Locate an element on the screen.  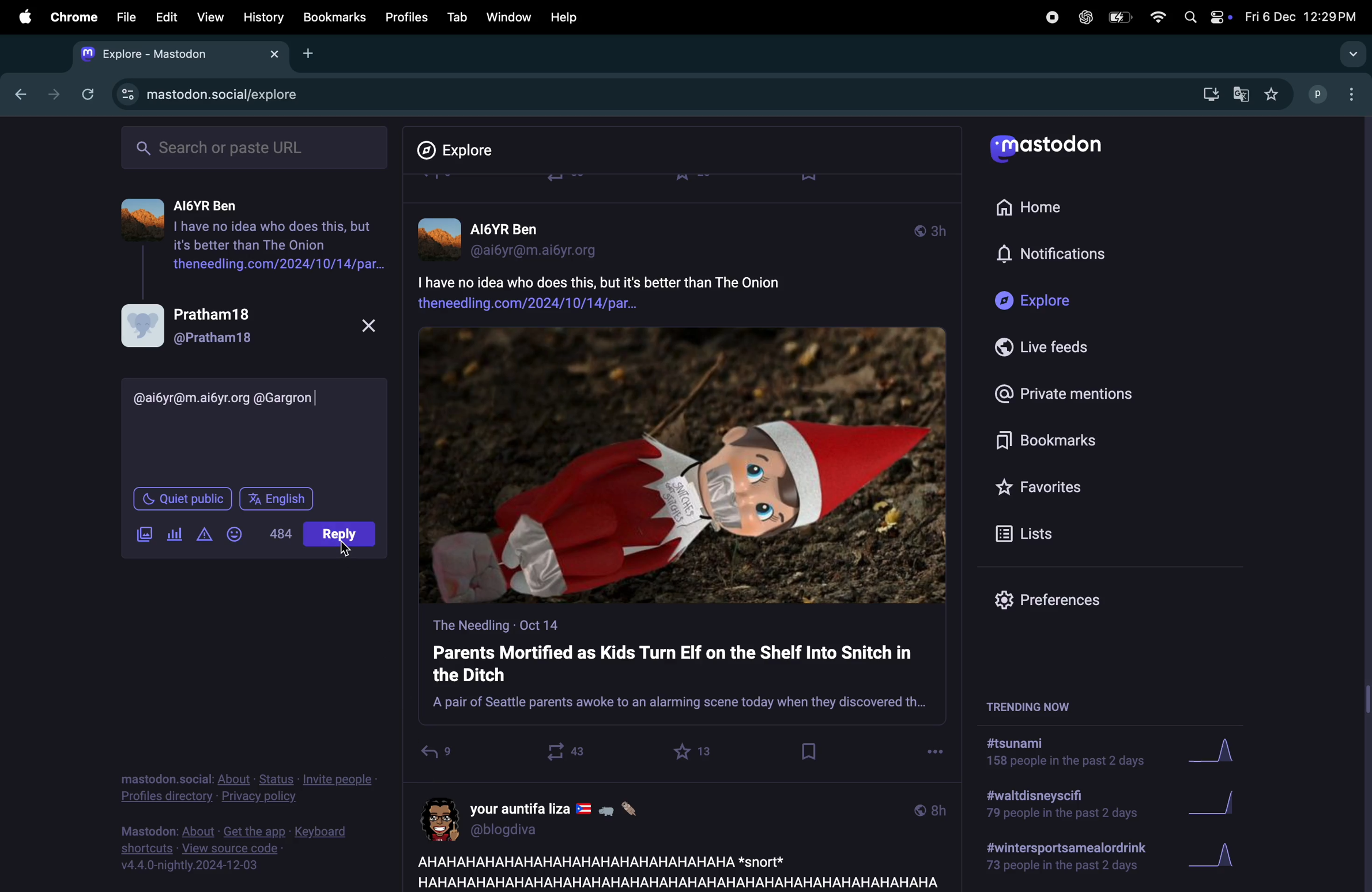
file is located at coordinates (126, 17).